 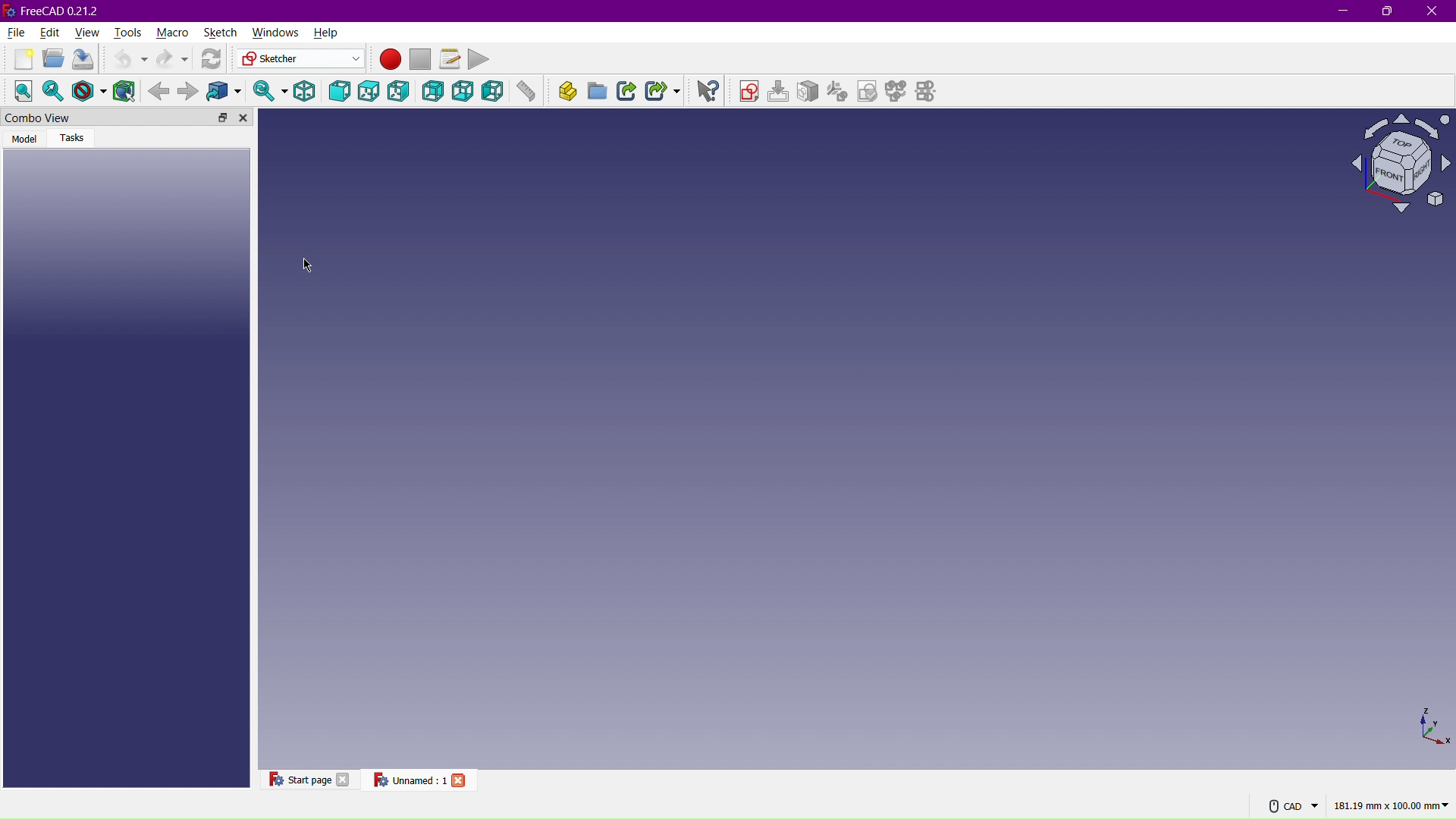 I want to click on Refresh, so click(x=209, y=58).